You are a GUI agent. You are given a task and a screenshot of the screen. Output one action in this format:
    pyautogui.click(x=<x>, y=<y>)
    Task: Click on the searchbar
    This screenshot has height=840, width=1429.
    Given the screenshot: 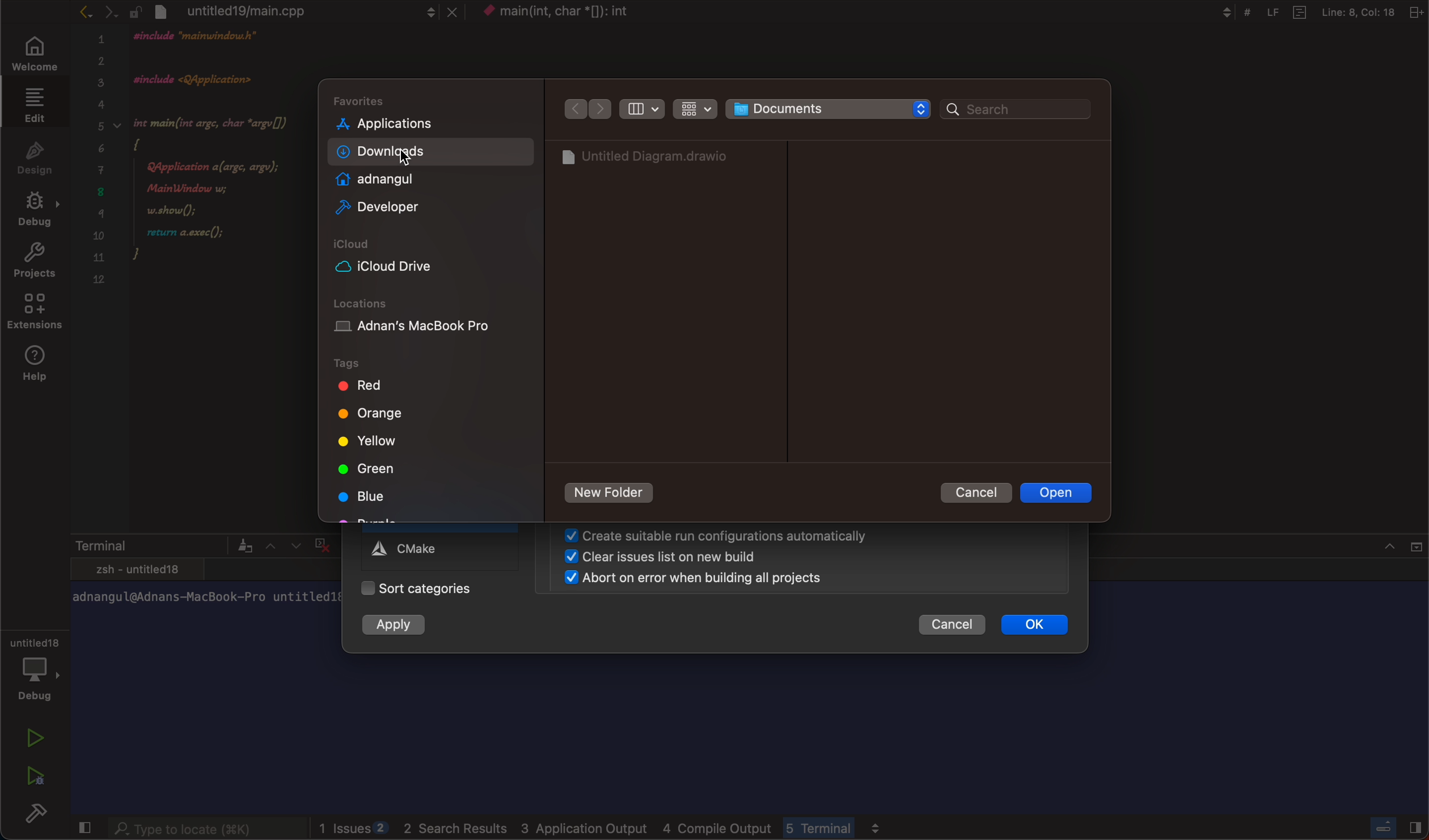 What is the action you would take?
    pyautogui.click(x=197, y=826)
    